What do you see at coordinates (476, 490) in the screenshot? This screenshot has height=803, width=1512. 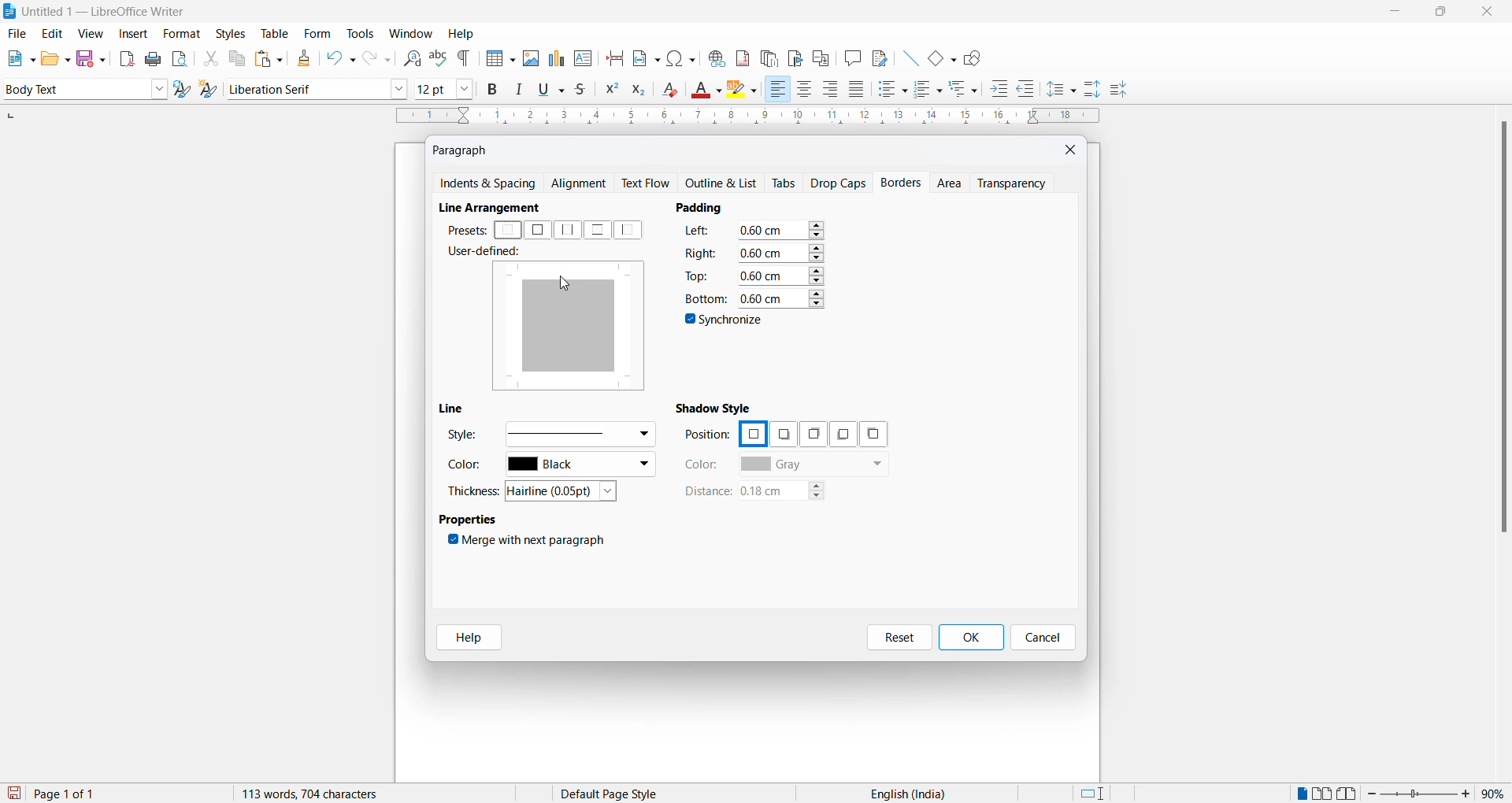 I see `thickness` at bounding box center [476, 490].